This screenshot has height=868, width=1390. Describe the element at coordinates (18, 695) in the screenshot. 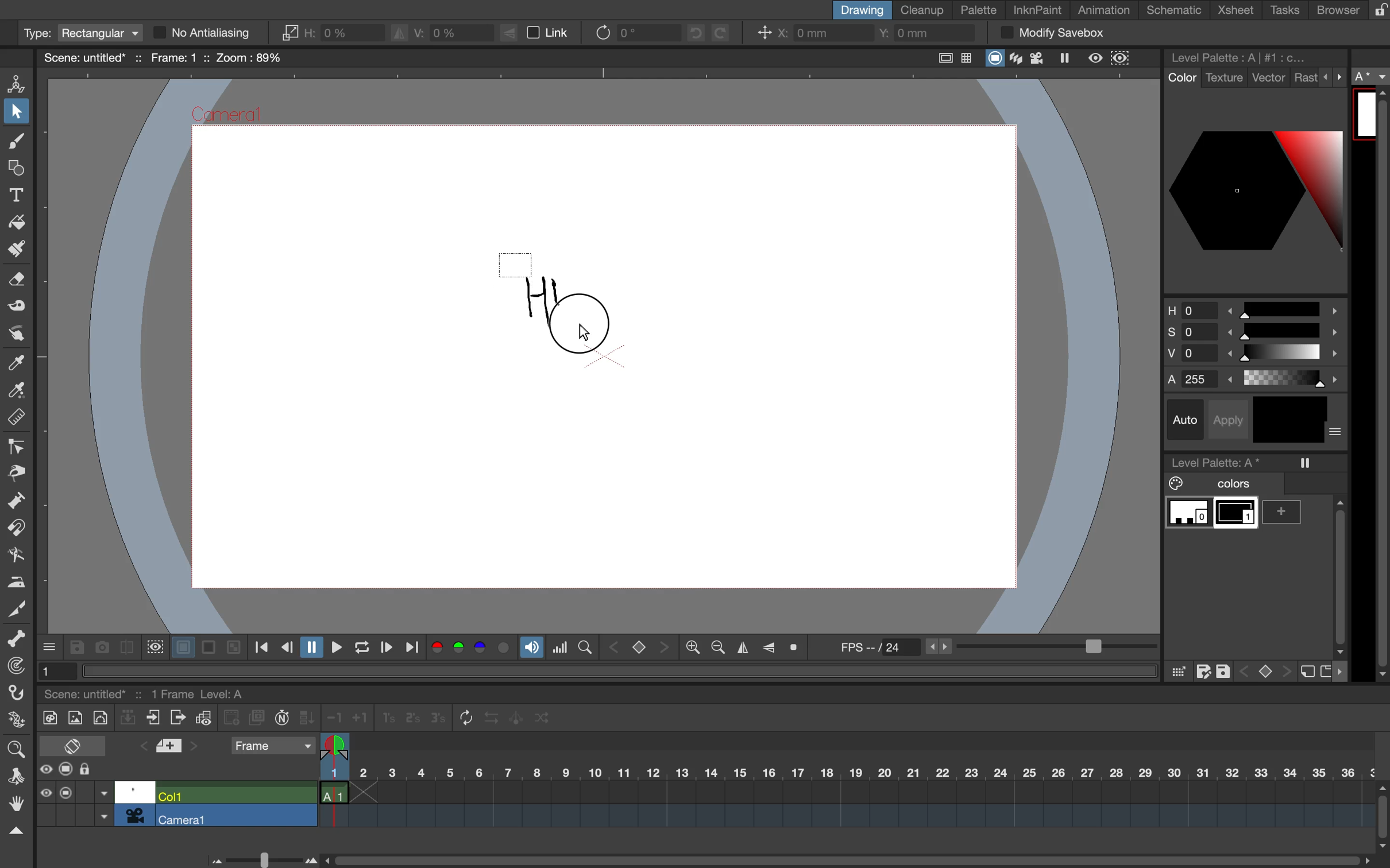

I see `hook tool` at that location.